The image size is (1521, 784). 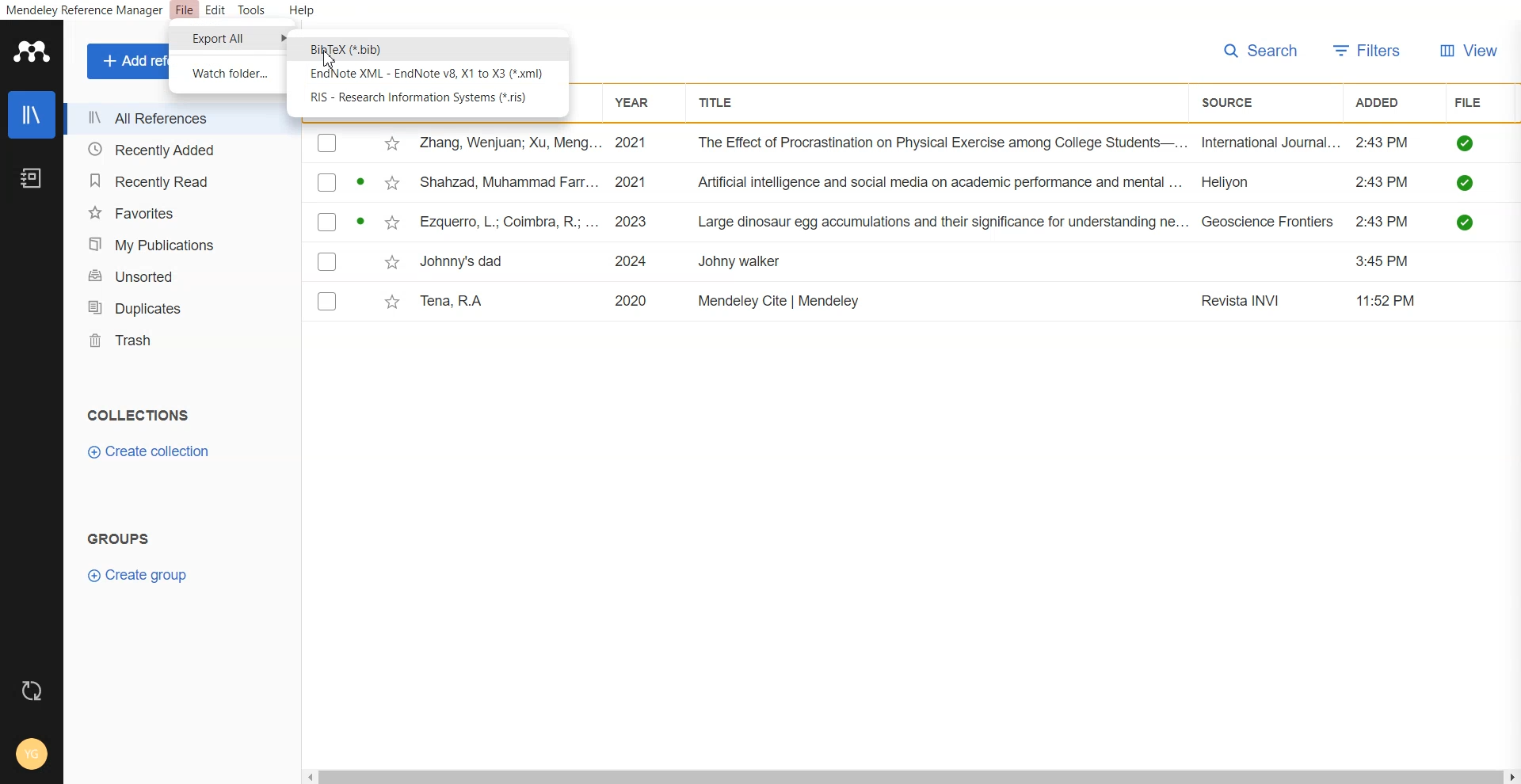 I want to click on Ezquerro, L.; Coimbra, R; ..., so click(x=509, y=221).